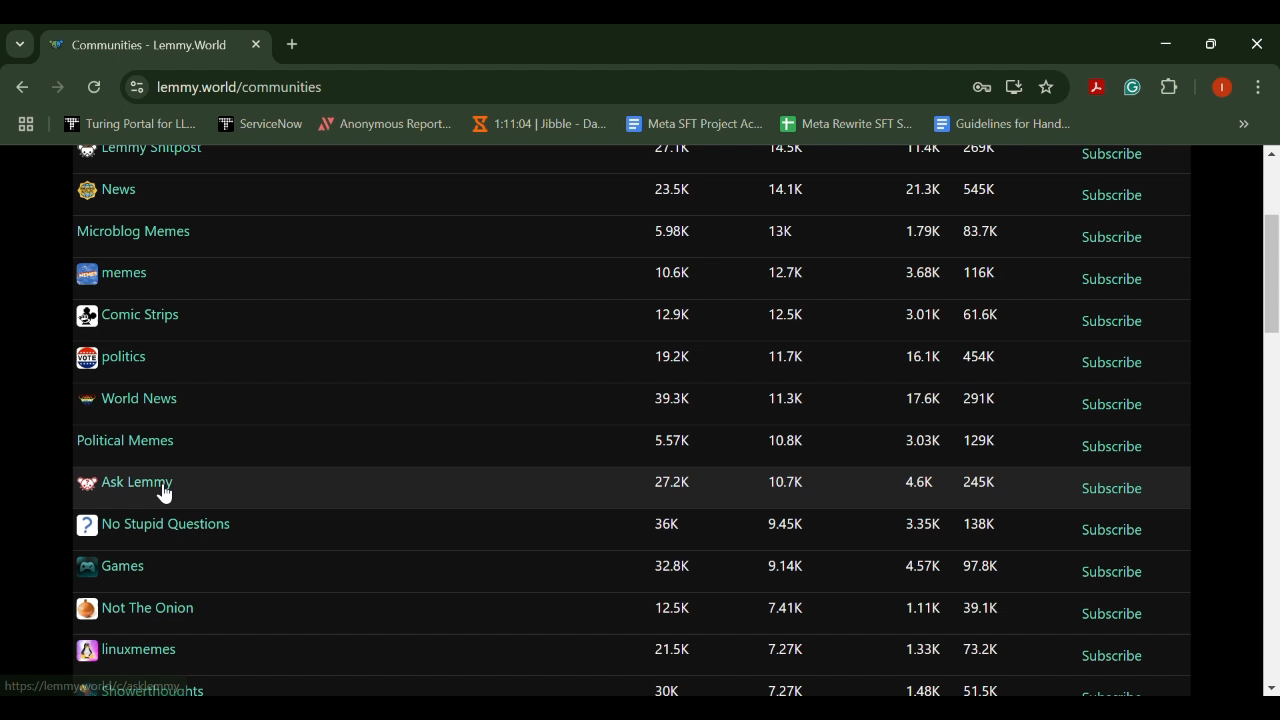 The image size is (1280, 720). Describe the element at coordinates (1246, 125) in the screenshot. I see `Hidden bookmarks` at that location.